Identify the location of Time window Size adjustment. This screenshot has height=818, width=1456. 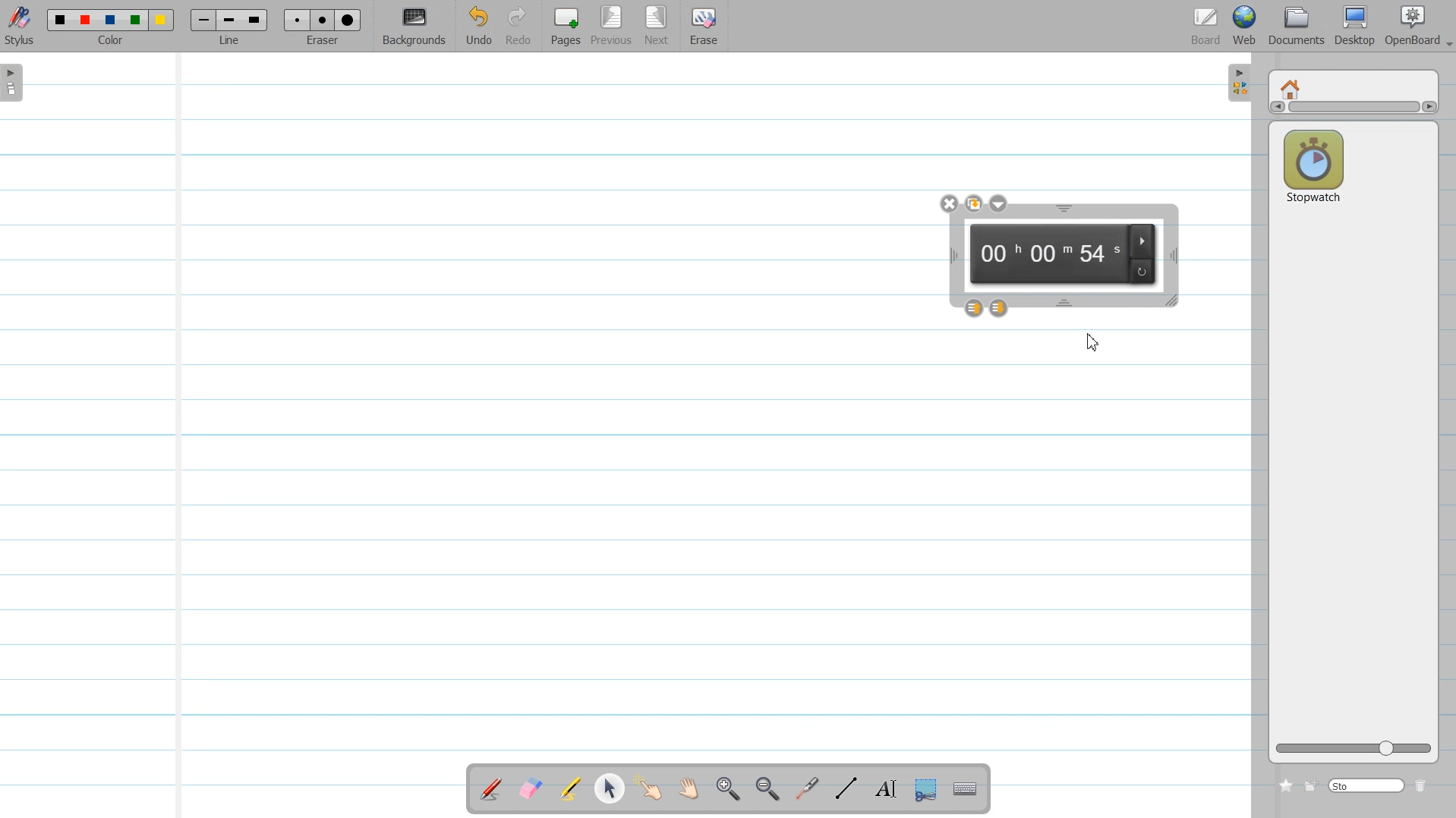
(1173, 302).